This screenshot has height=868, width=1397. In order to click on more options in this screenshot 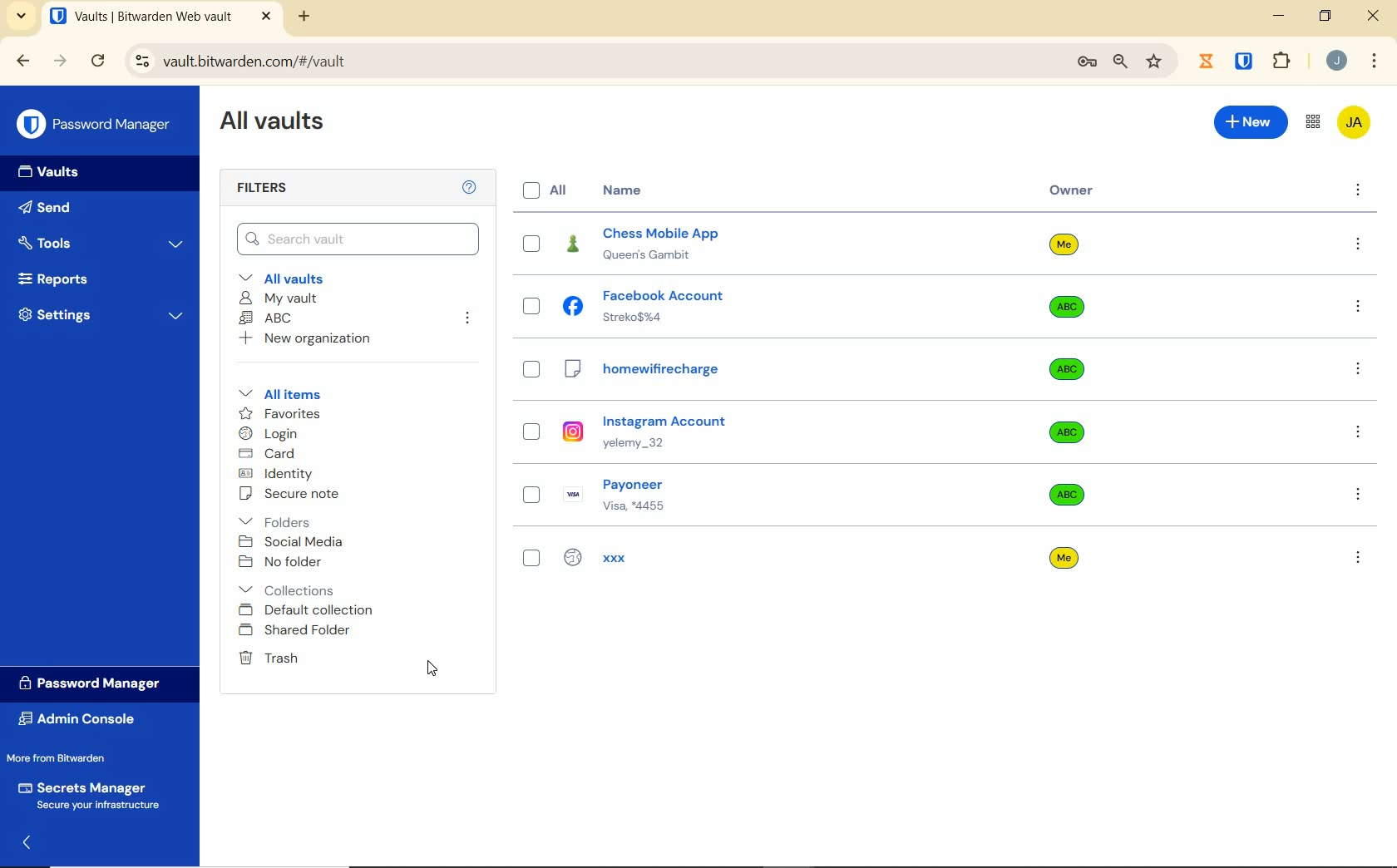, I will do `click(1358, 496)`.